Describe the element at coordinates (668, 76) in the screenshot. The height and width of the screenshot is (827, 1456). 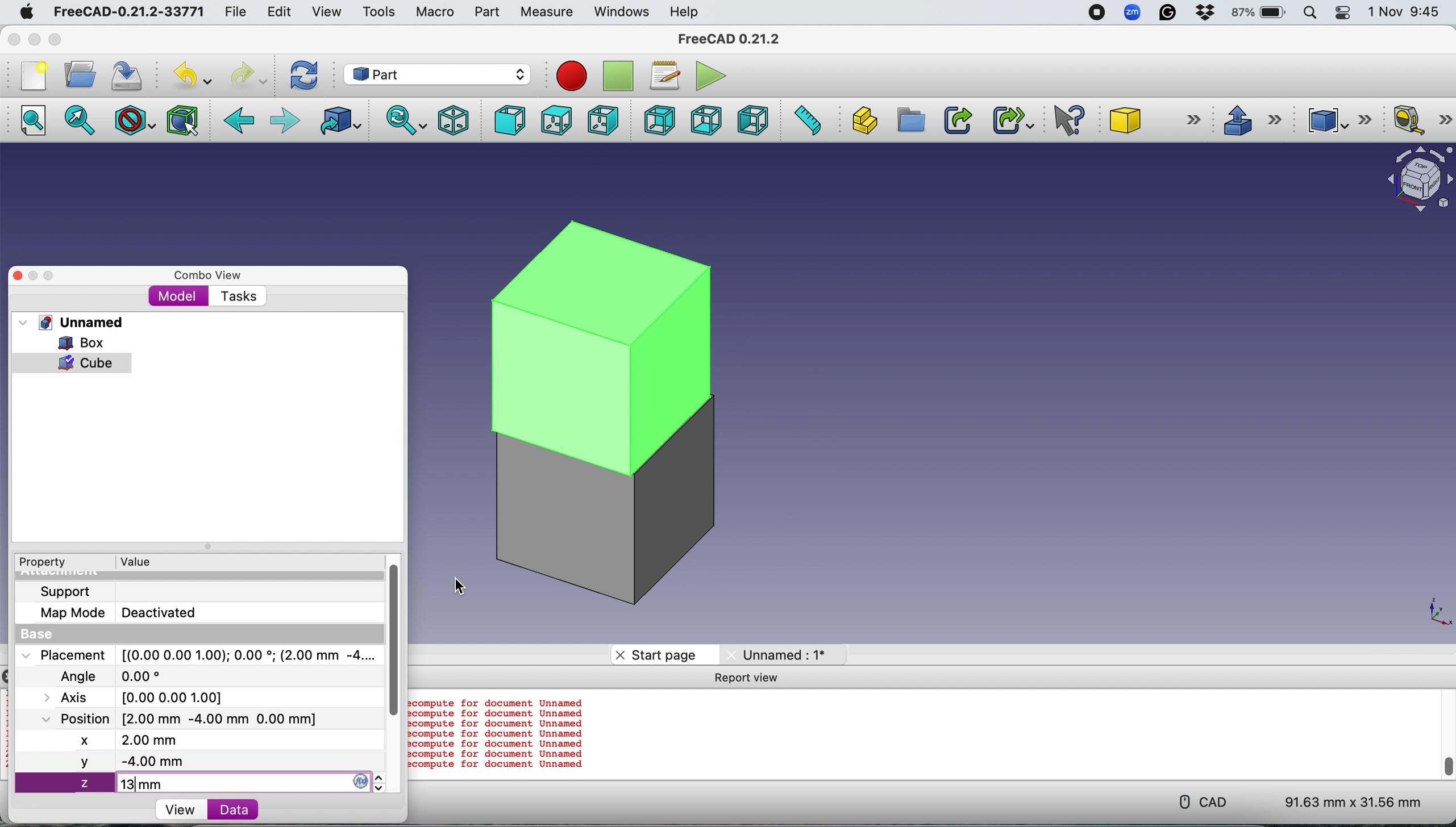
I see `Macros` at that location.